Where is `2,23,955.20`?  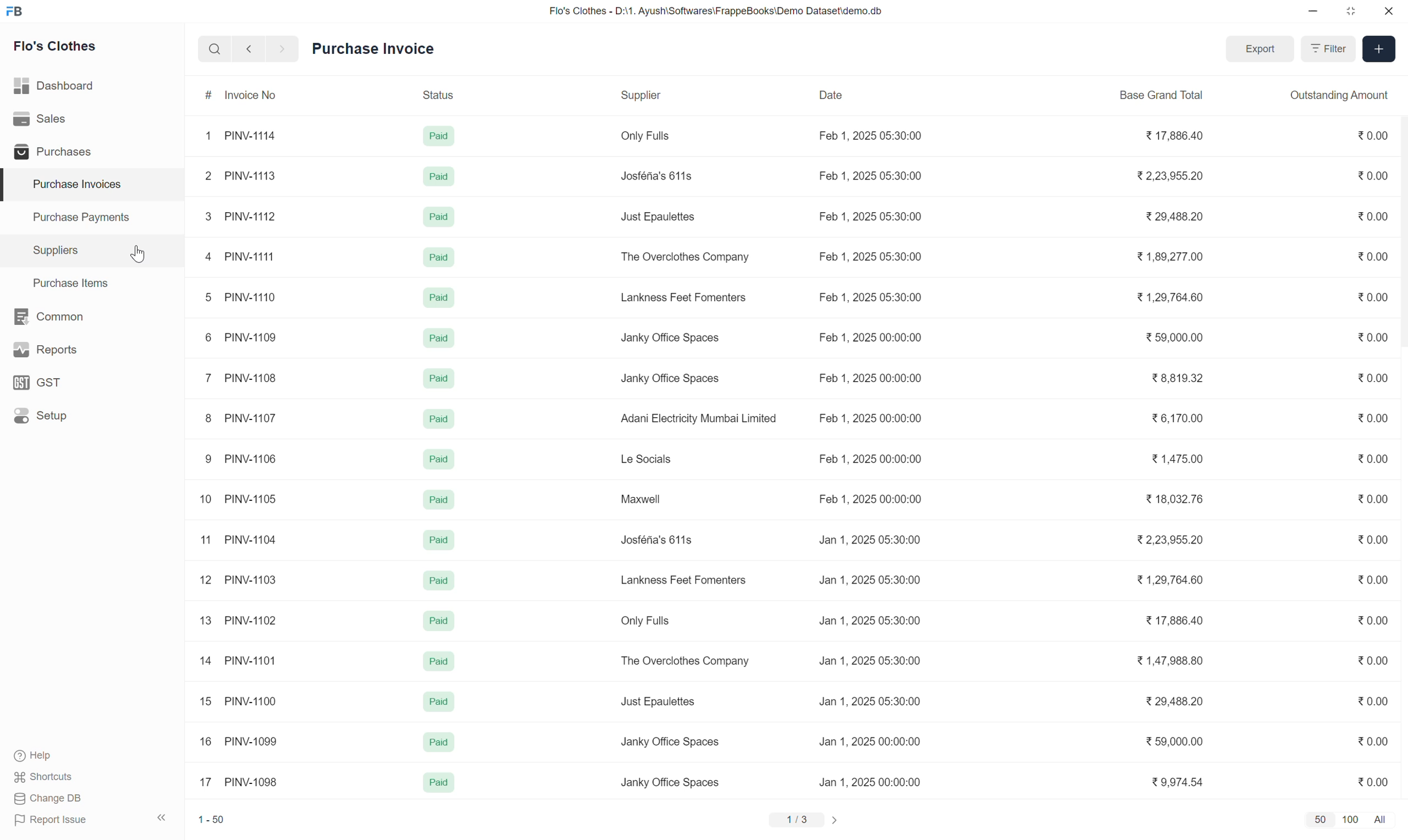 2,23,955.20 is located at coordinates (1170, 176).